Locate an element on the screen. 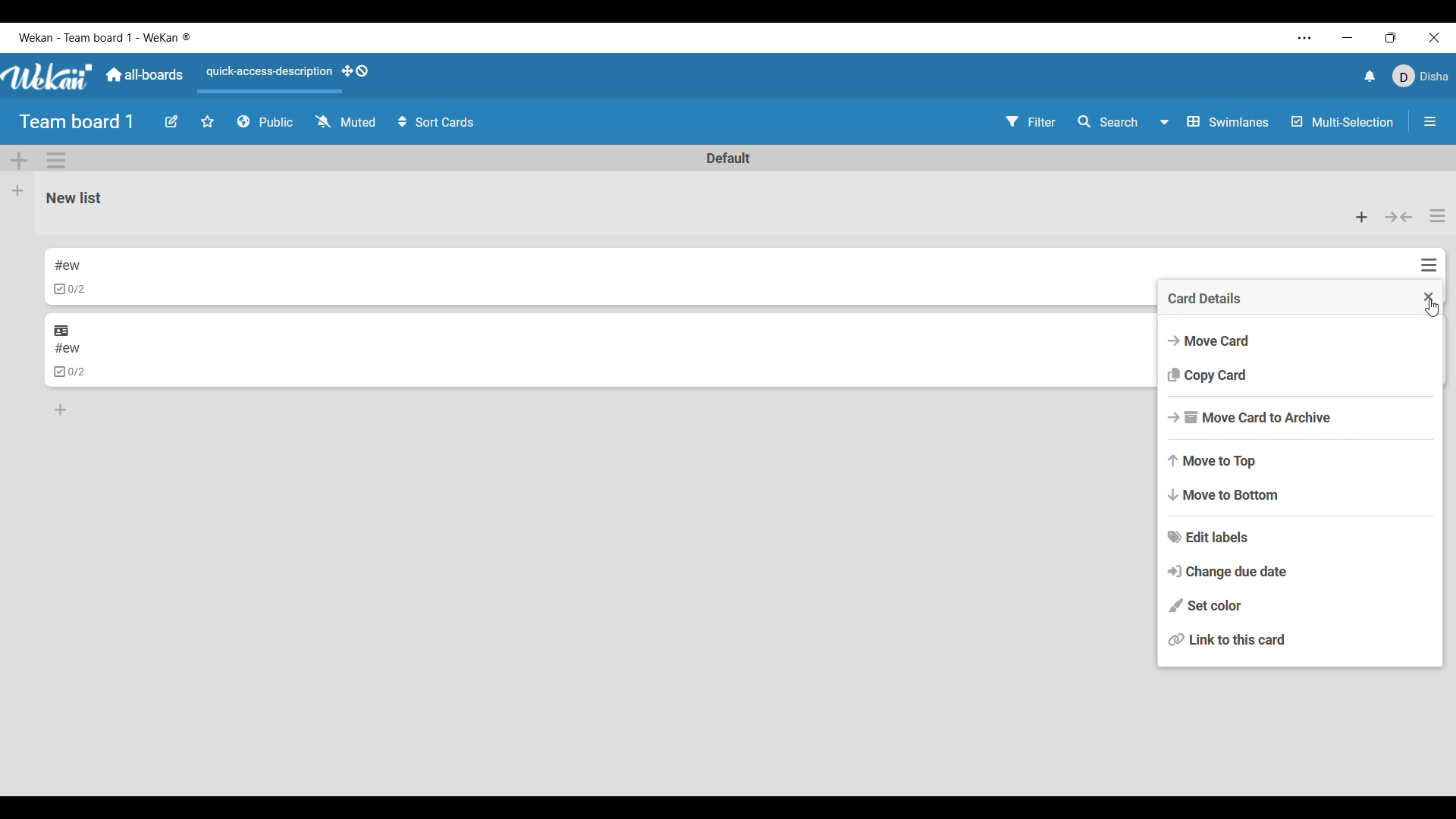  Close interface is located at coordinates (1434, 37).